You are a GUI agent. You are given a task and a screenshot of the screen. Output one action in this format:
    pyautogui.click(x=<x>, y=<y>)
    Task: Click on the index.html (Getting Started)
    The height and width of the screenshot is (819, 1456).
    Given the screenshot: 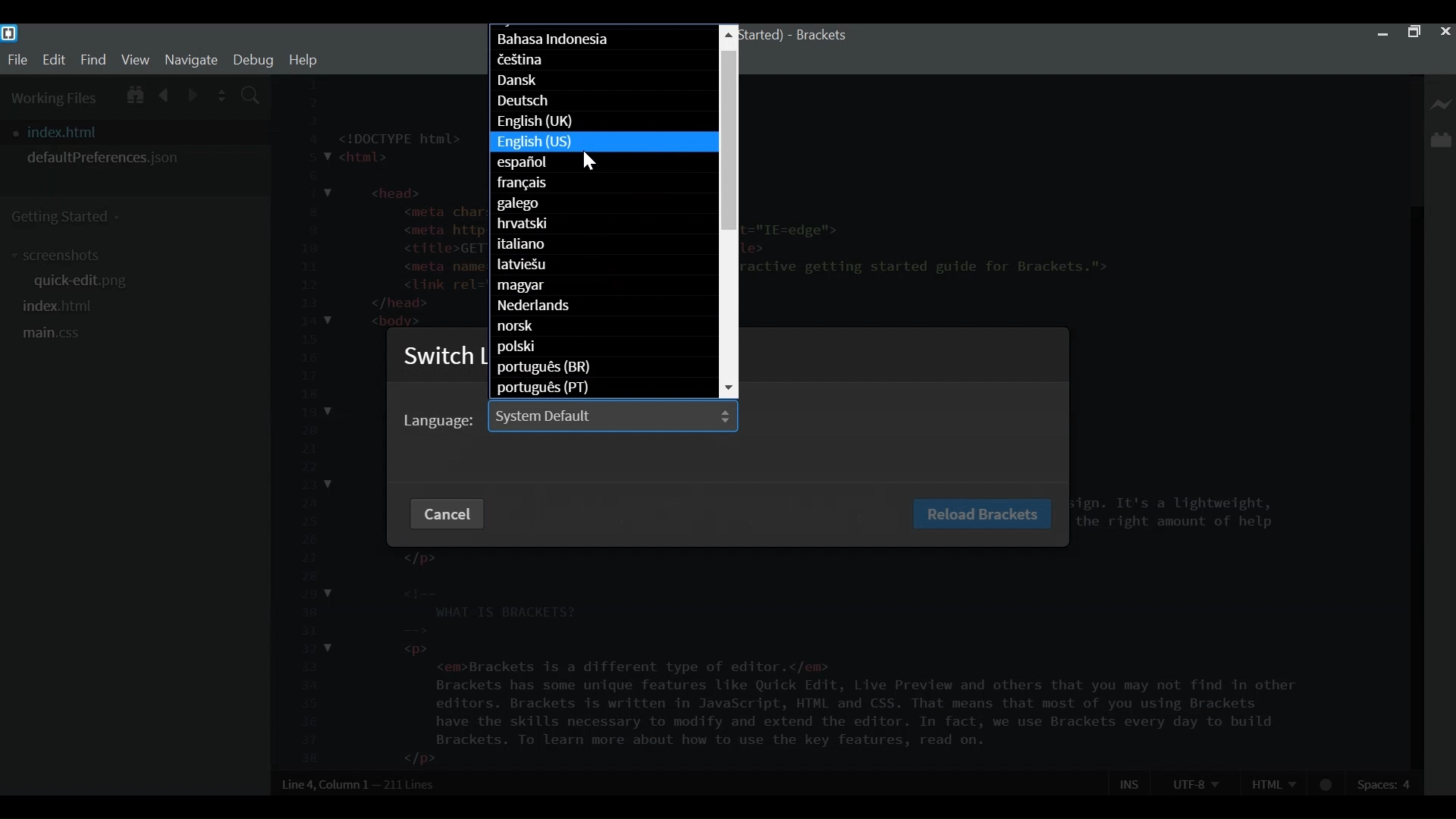 What is the action you would take?
    pyautogui.click(x=763, y=36)
    